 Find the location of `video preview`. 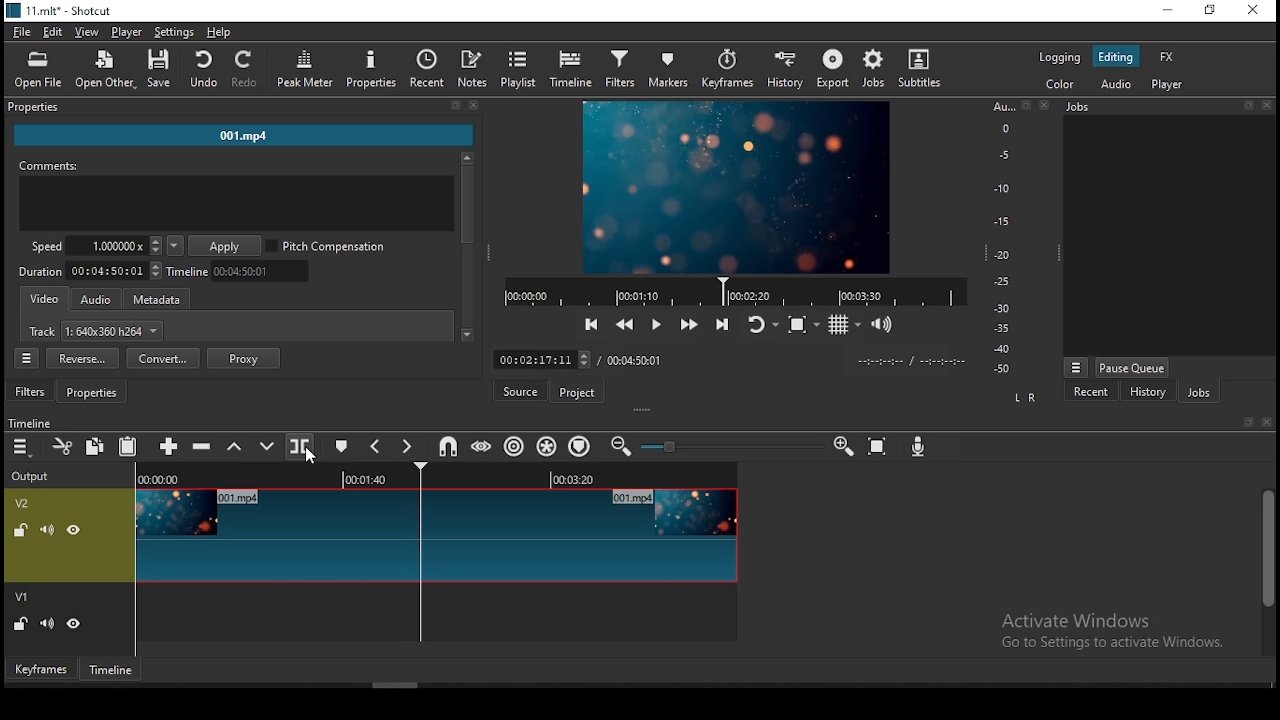

video preview is located at coordinates (734, 189).